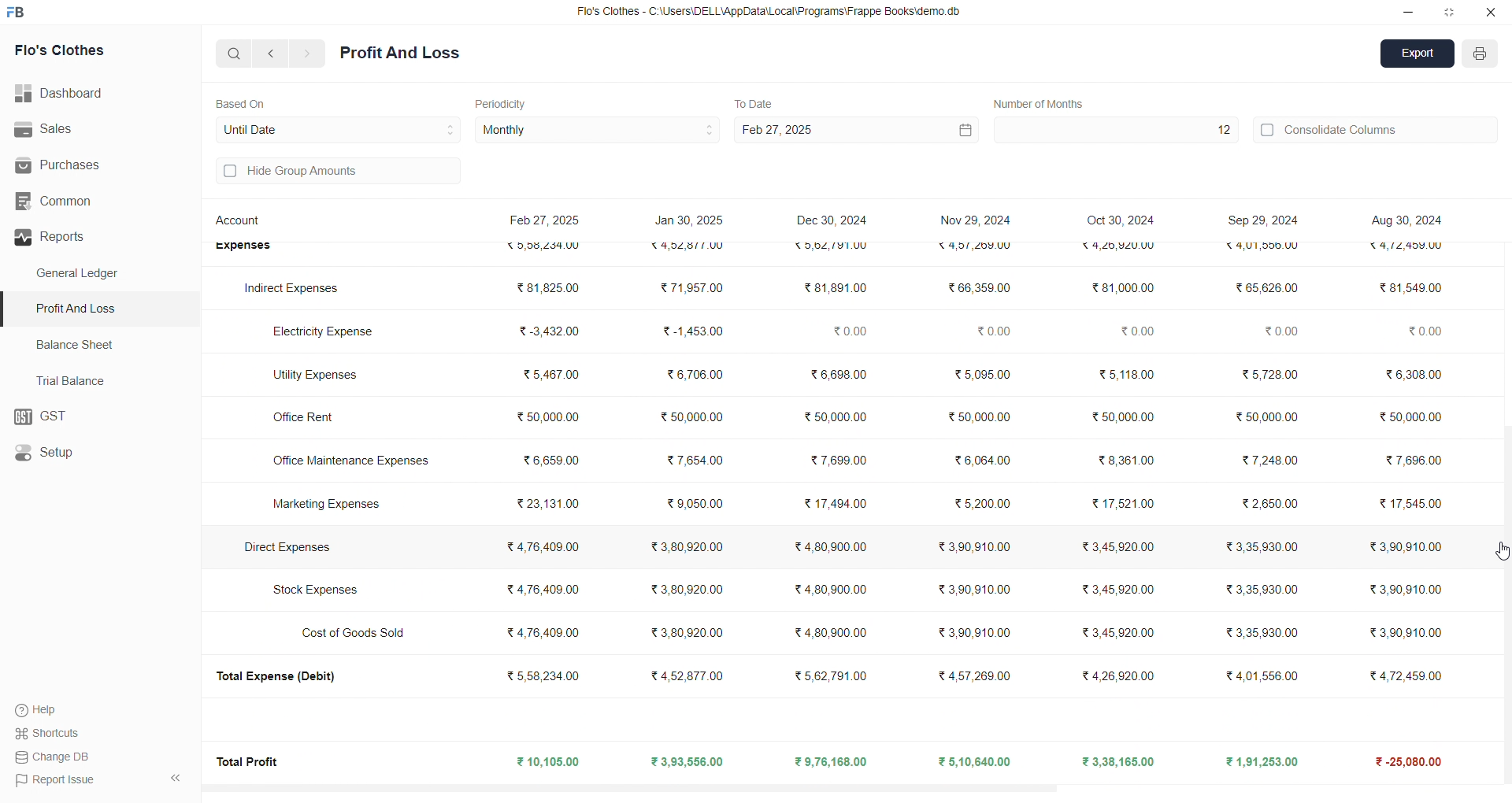  I want to click on Aug 30, 2024, so click(1404, 220).